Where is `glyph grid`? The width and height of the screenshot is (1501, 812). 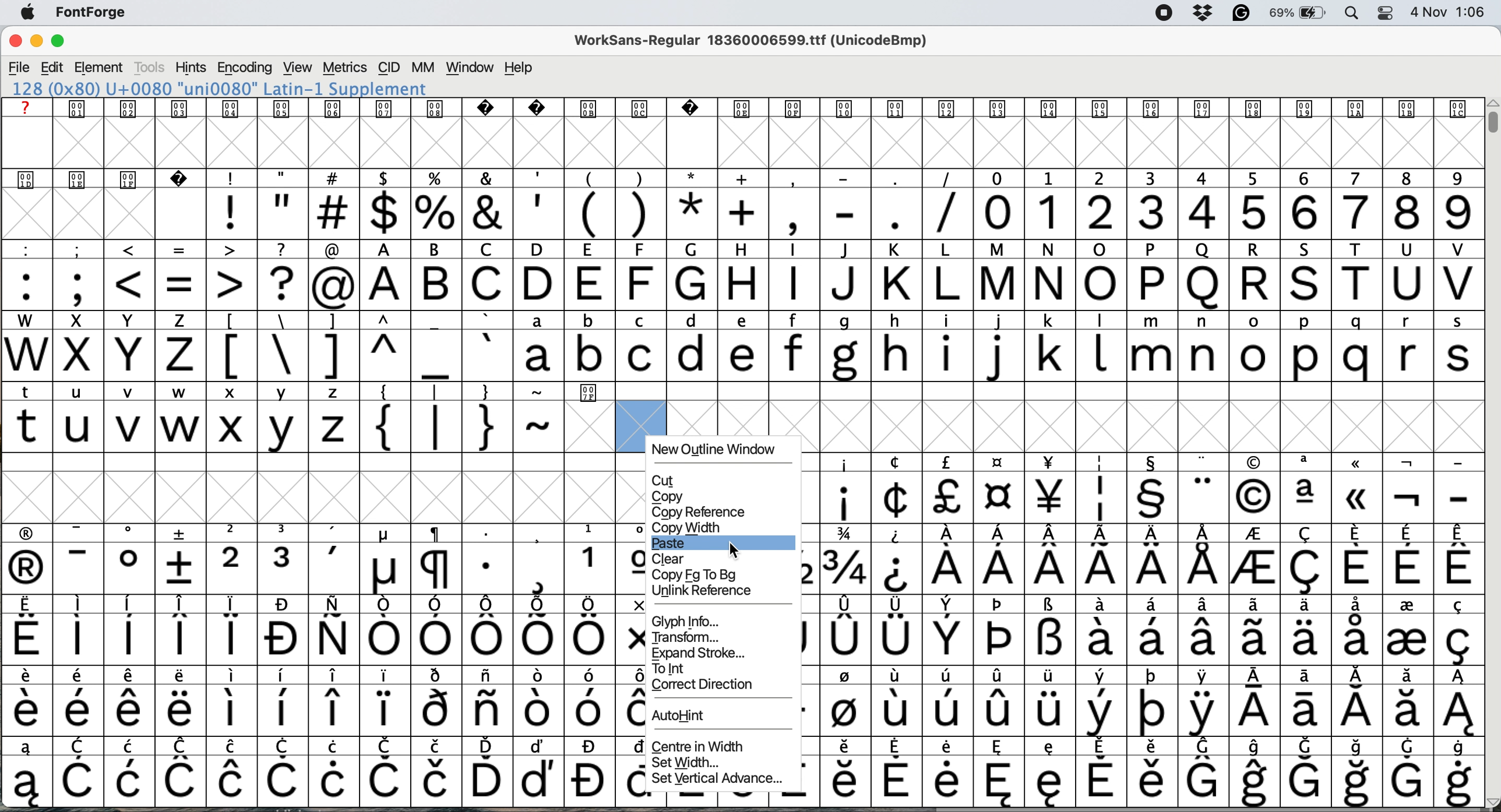
glyph grid is located at coordinates (326, 665).